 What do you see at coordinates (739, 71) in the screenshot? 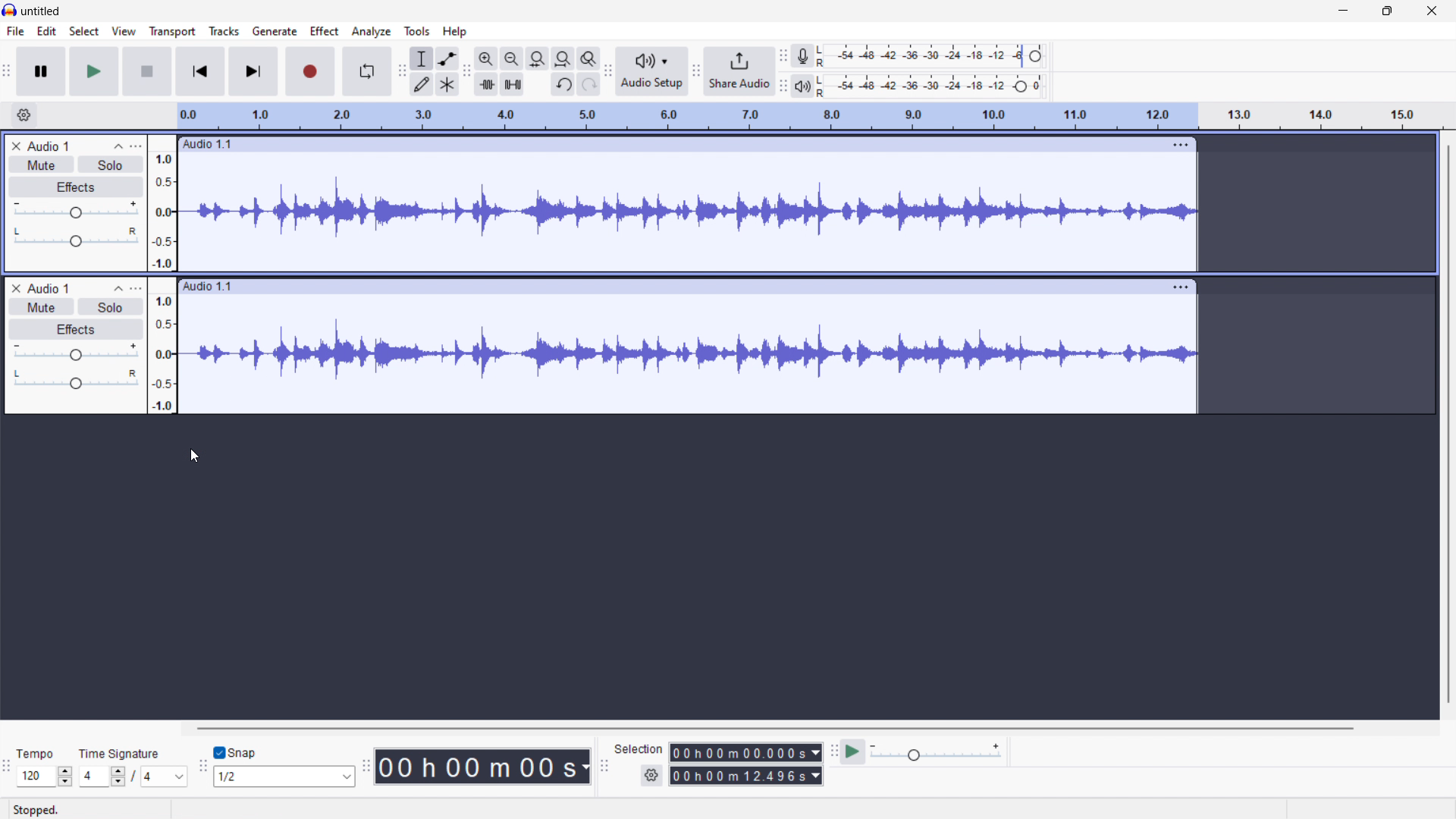
I see `share audio` at bounding box center [739, 71].